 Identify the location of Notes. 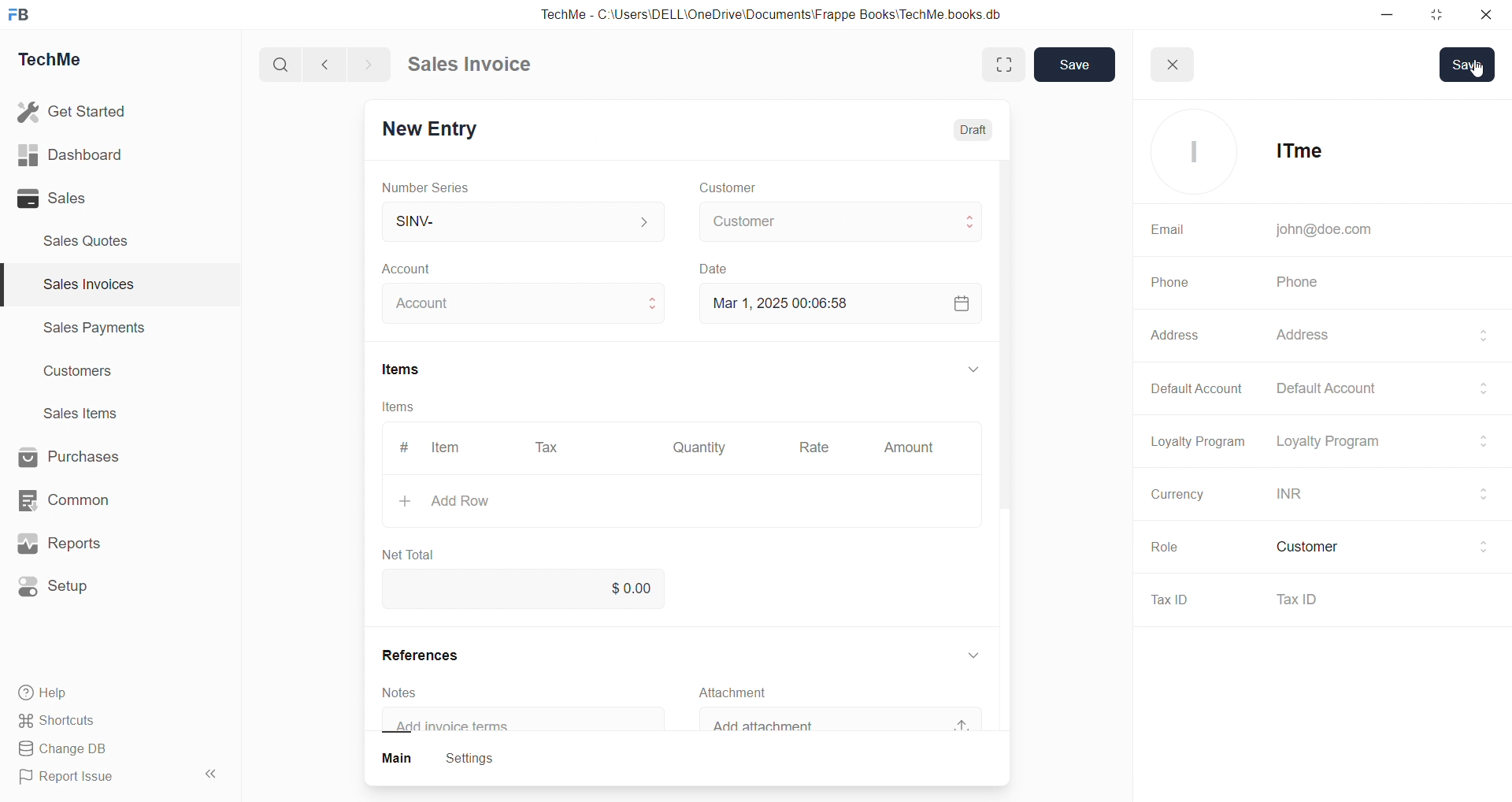
(404, 692).